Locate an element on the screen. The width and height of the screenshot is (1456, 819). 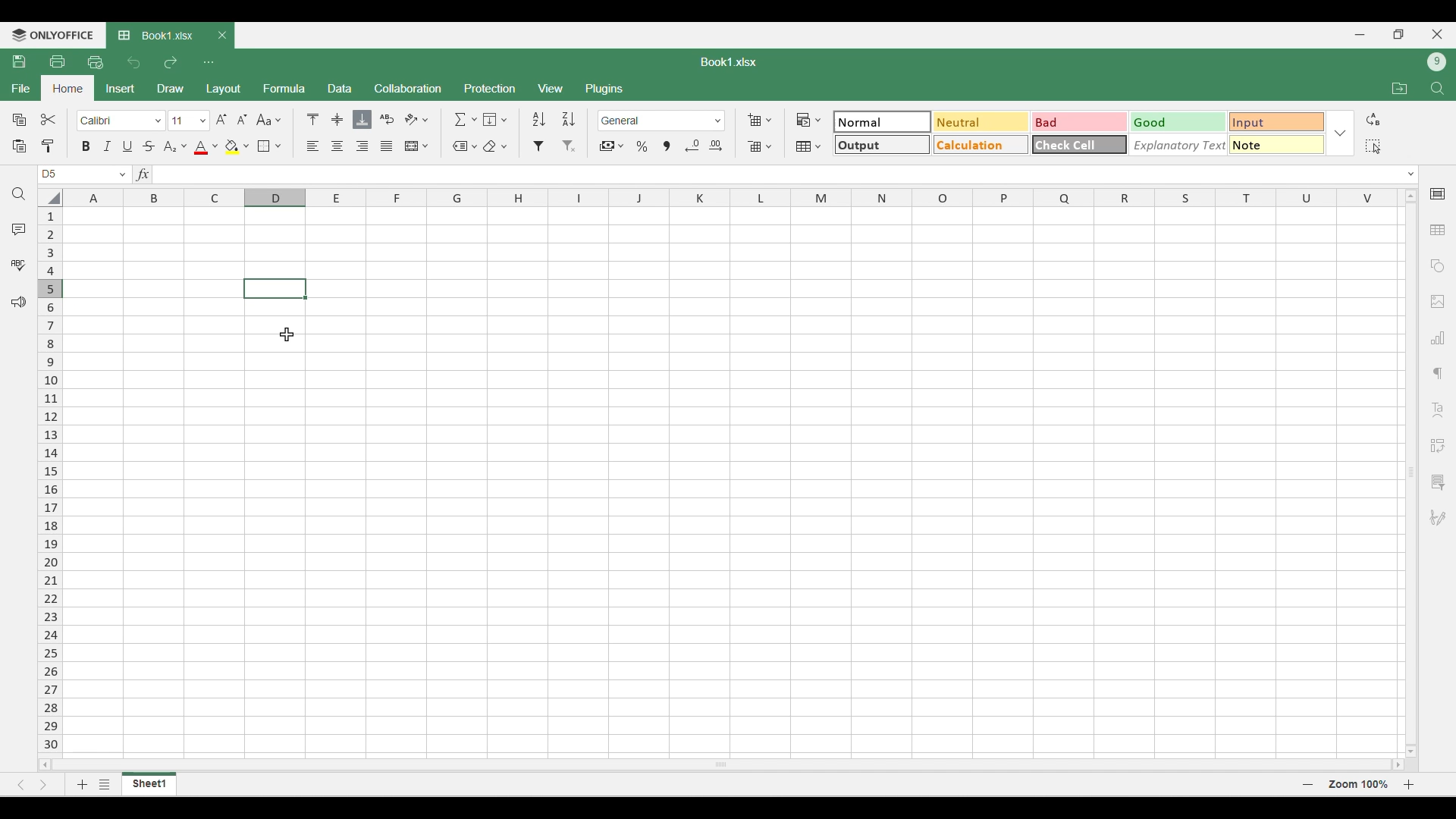
Clear options is located at coordinates (494, 146).